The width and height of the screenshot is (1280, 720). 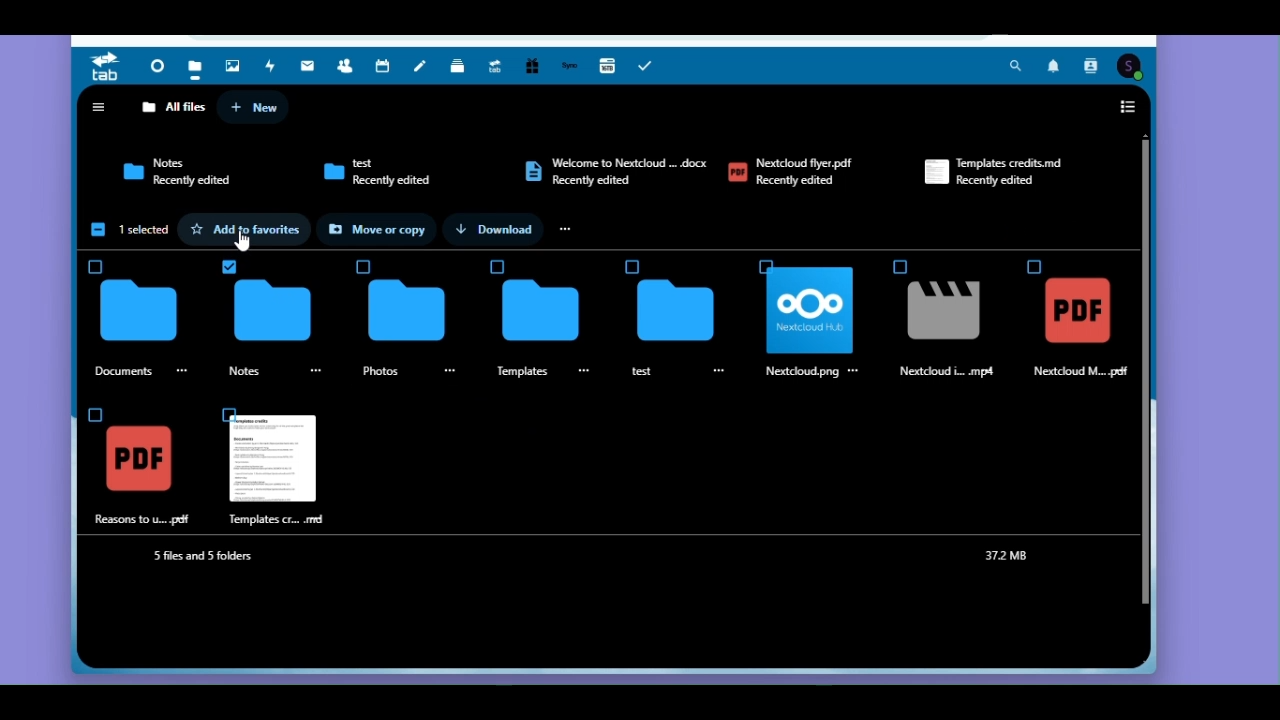 I want to click on Activity, so click(x=267, y=66).